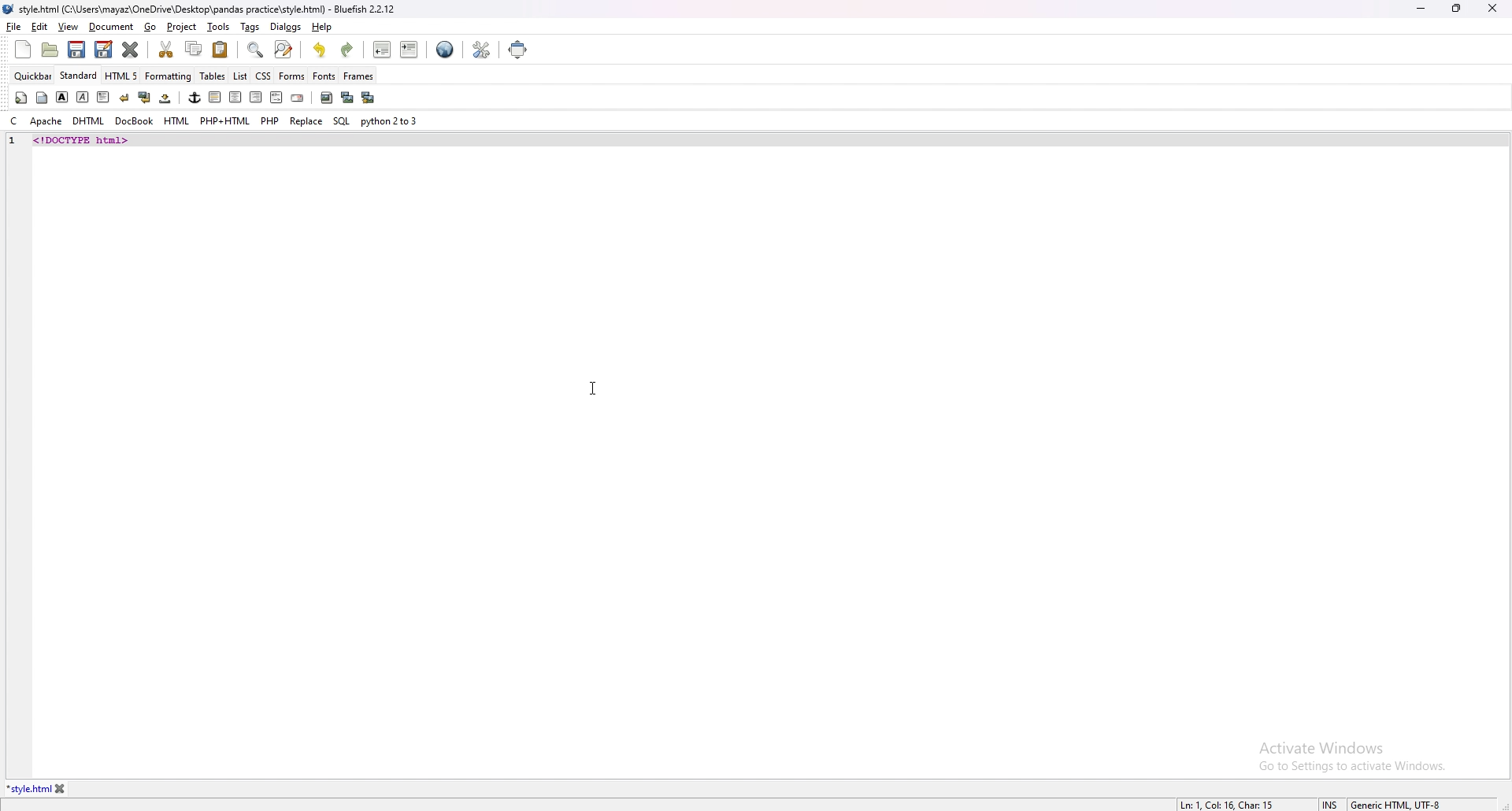  I want to click on redo, so click(346, 50).